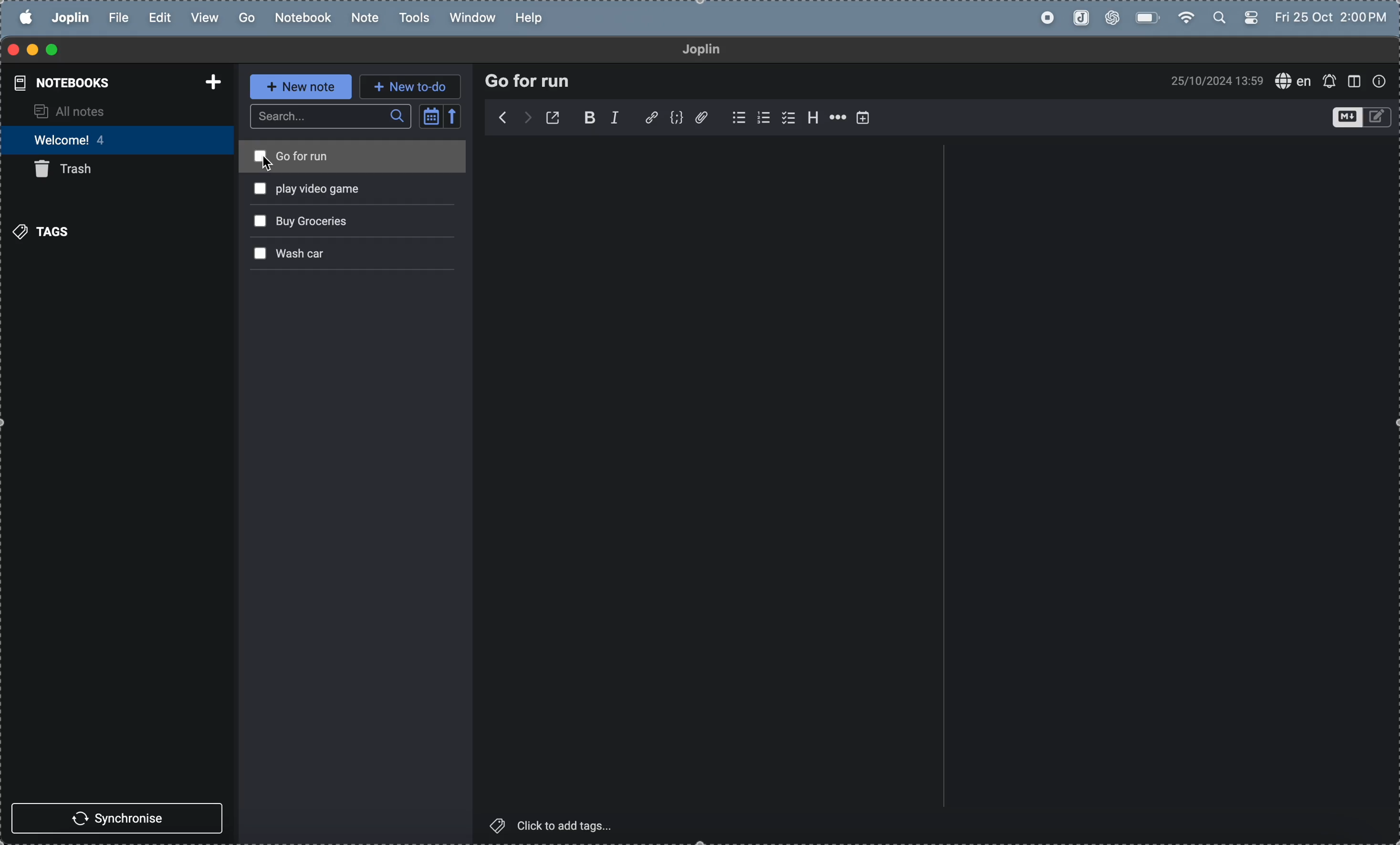  What do you see at coordinates (678, 119) in the screenshot?
I see `code` at bounding box center [678, 119].